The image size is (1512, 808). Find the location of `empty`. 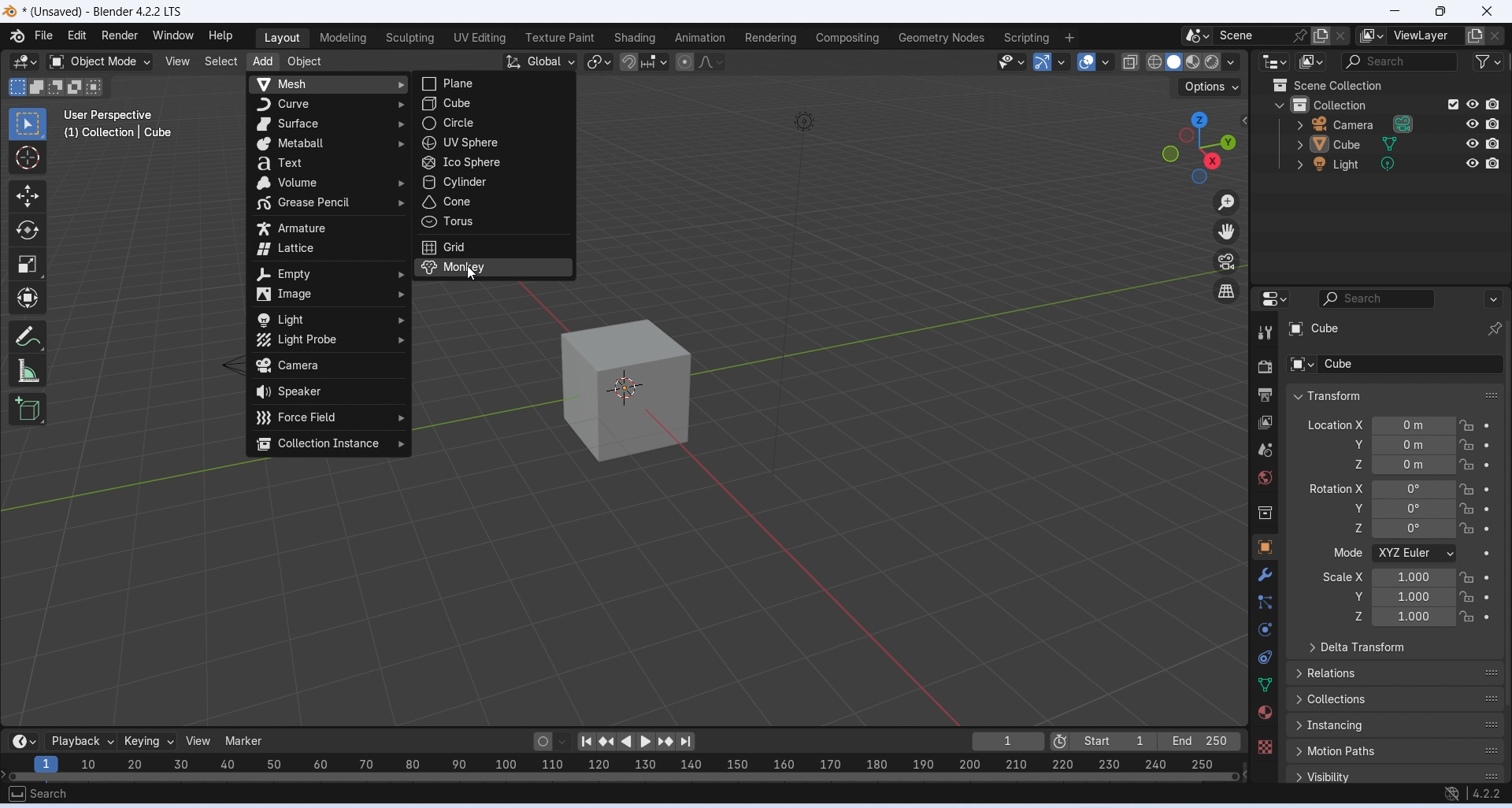

empty is located at coordinates (328, 274).